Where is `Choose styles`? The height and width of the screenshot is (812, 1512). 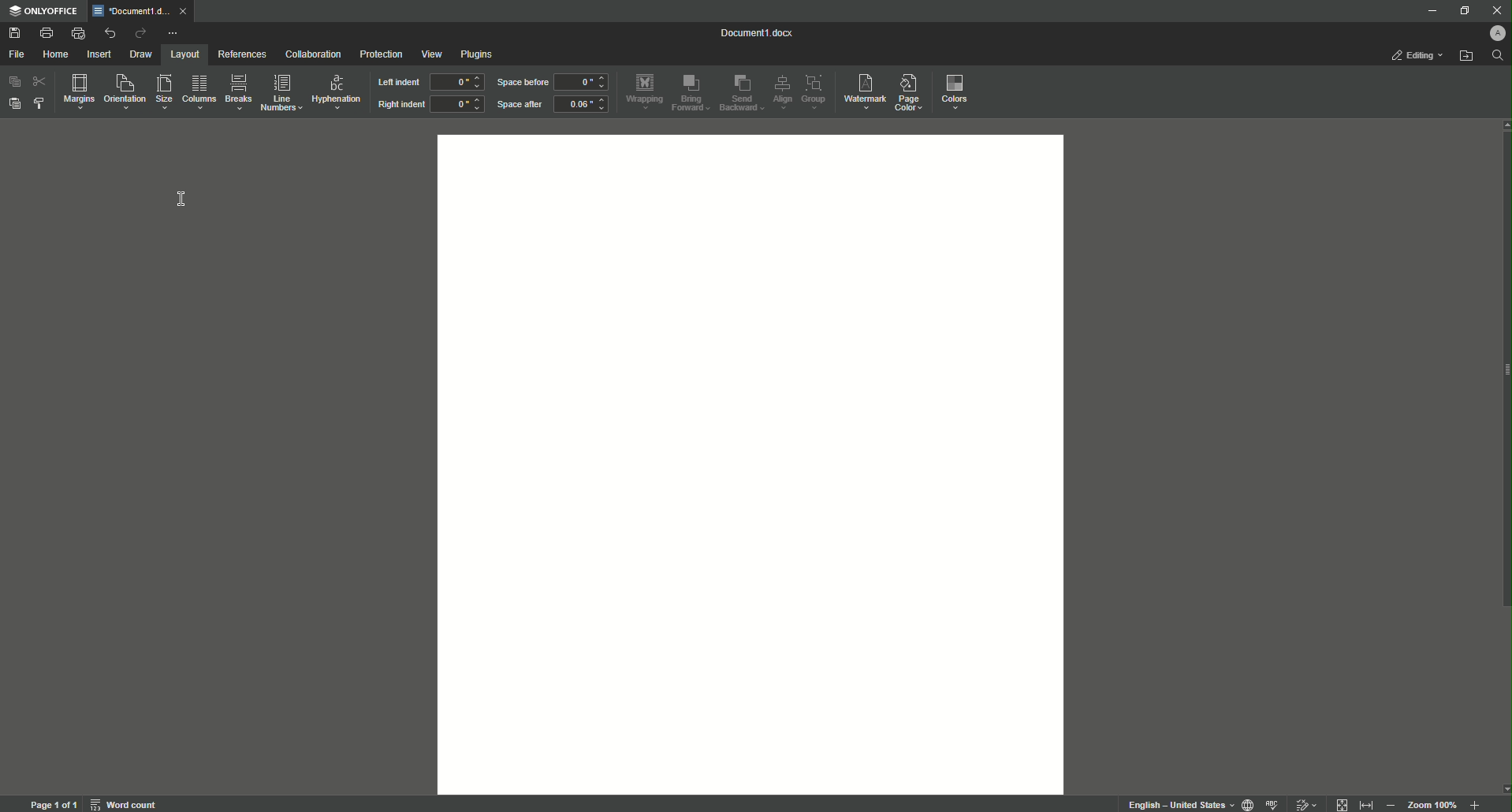 Choose styles is located at coordinates (41, 105).